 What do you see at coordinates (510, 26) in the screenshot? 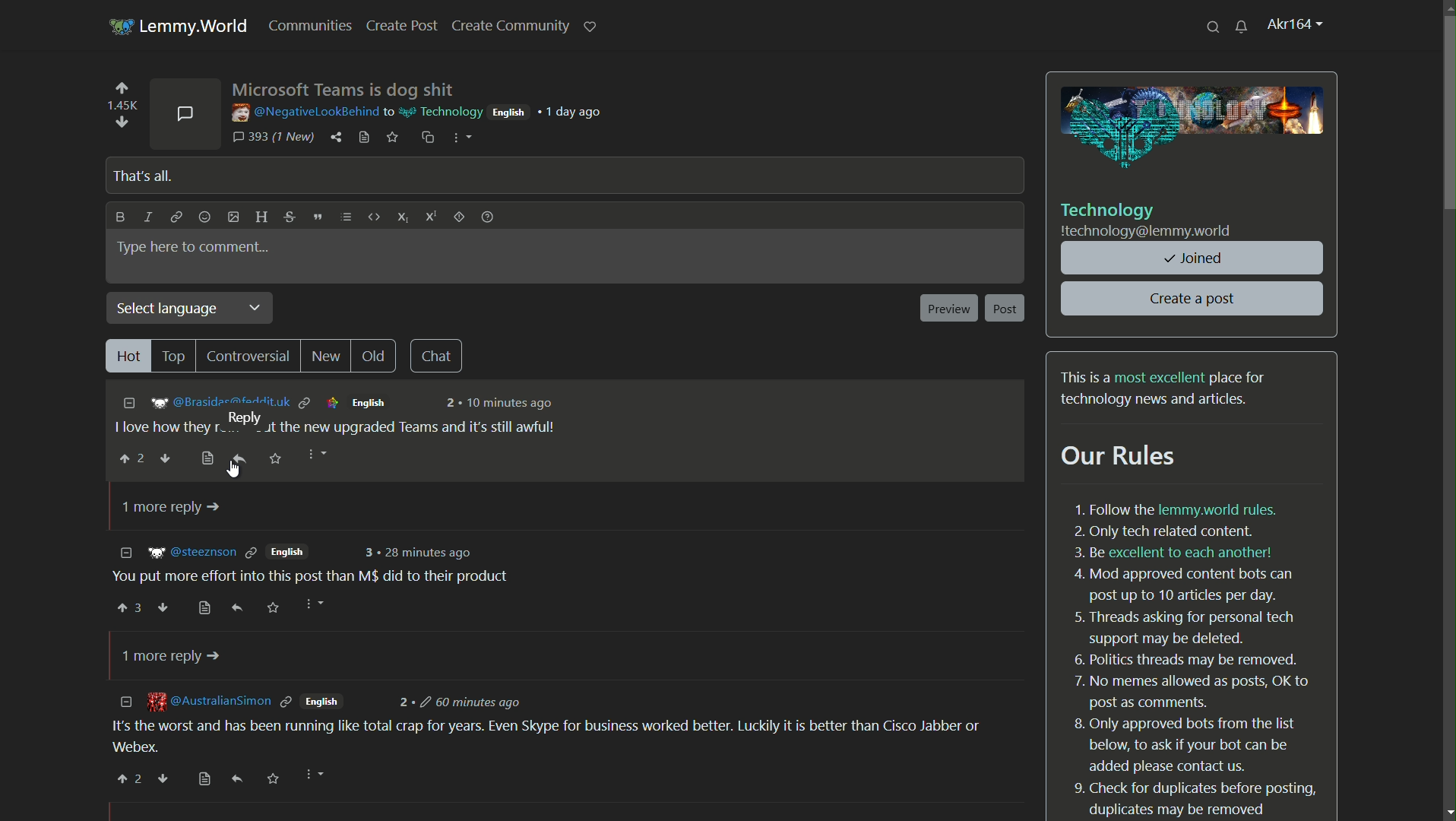
I see `create community` at bounding box center [510, 26].